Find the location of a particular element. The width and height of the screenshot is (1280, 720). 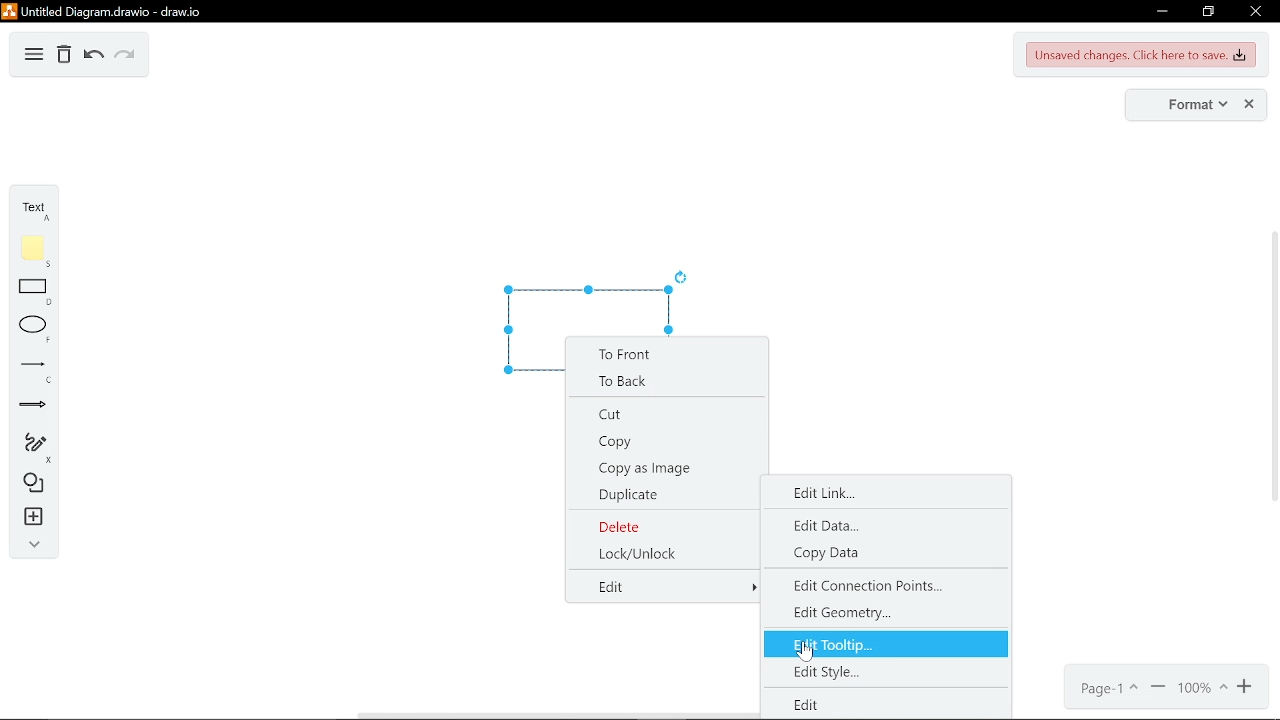

edit tooltip is located at coordinates (859, 645).